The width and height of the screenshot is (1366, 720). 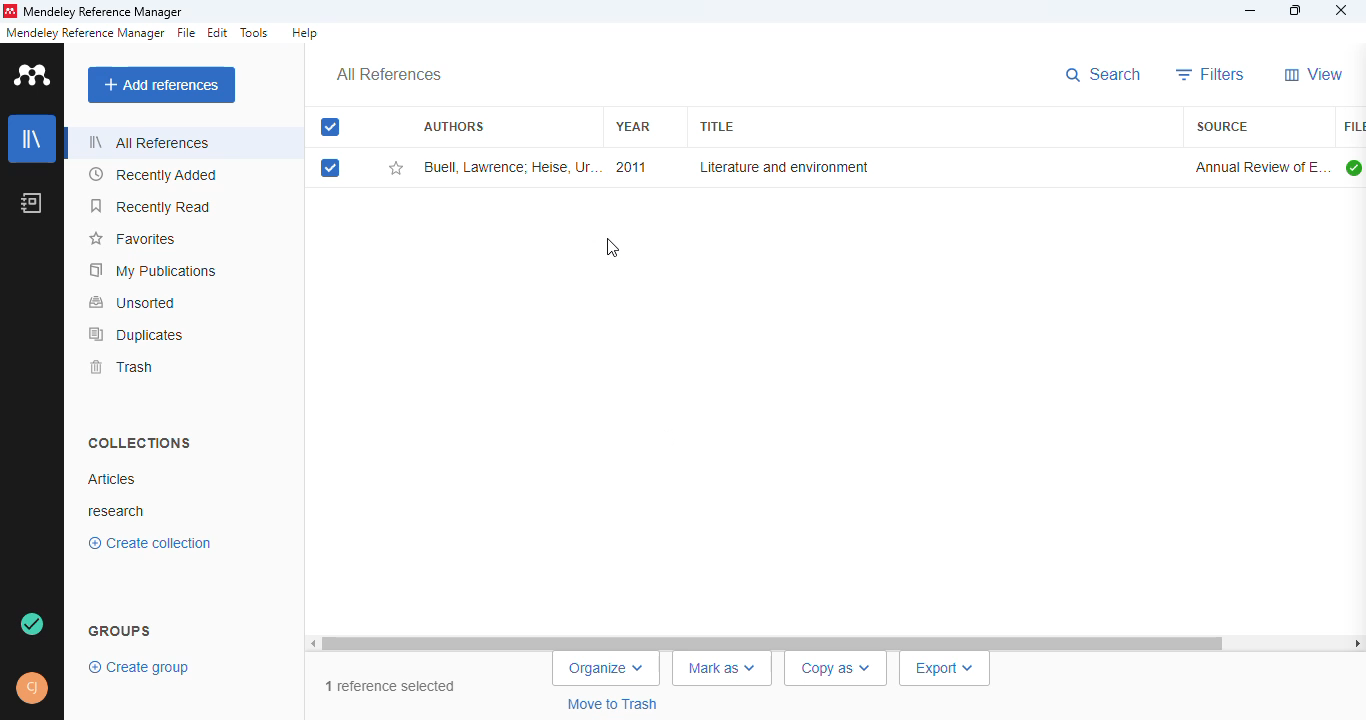 I want to click on add references, so click(x=161, y=85).